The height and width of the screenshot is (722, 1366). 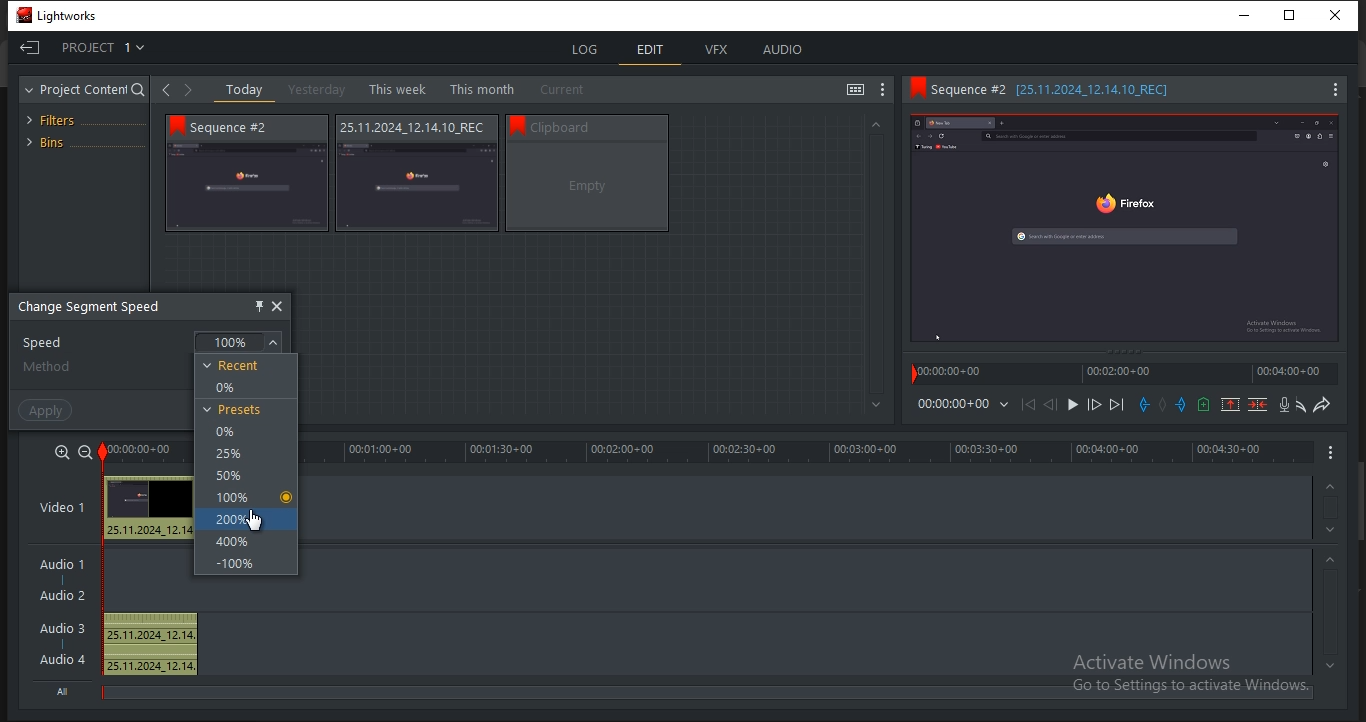 I want to click on project content, so click(x=83, y=89).